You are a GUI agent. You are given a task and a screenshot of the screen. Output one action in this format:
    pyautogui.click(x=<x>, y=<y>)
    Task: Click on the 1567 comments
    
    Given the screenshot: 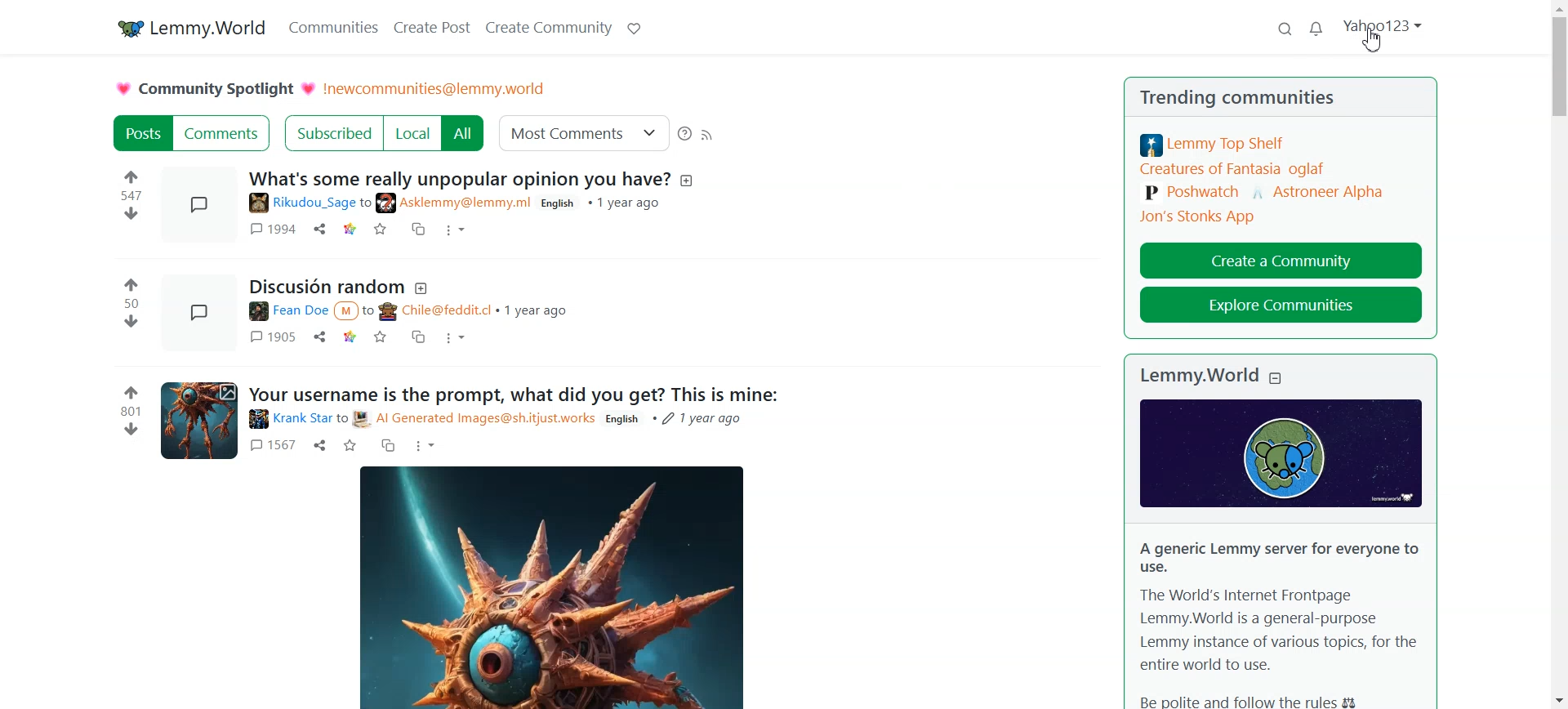 What is the action you would take?
    pyautogui.click(x=273, y=447)
    